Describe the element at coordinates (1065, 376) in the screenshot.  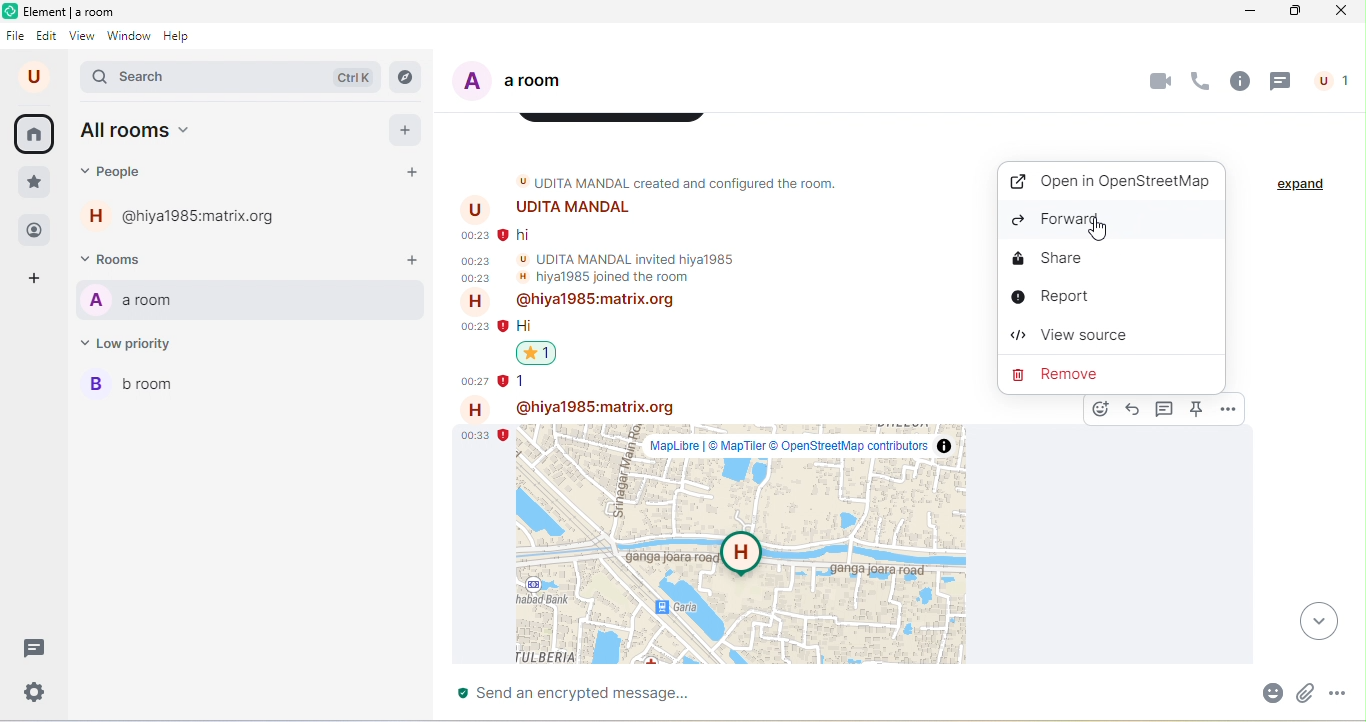
I see `remove` at that location.